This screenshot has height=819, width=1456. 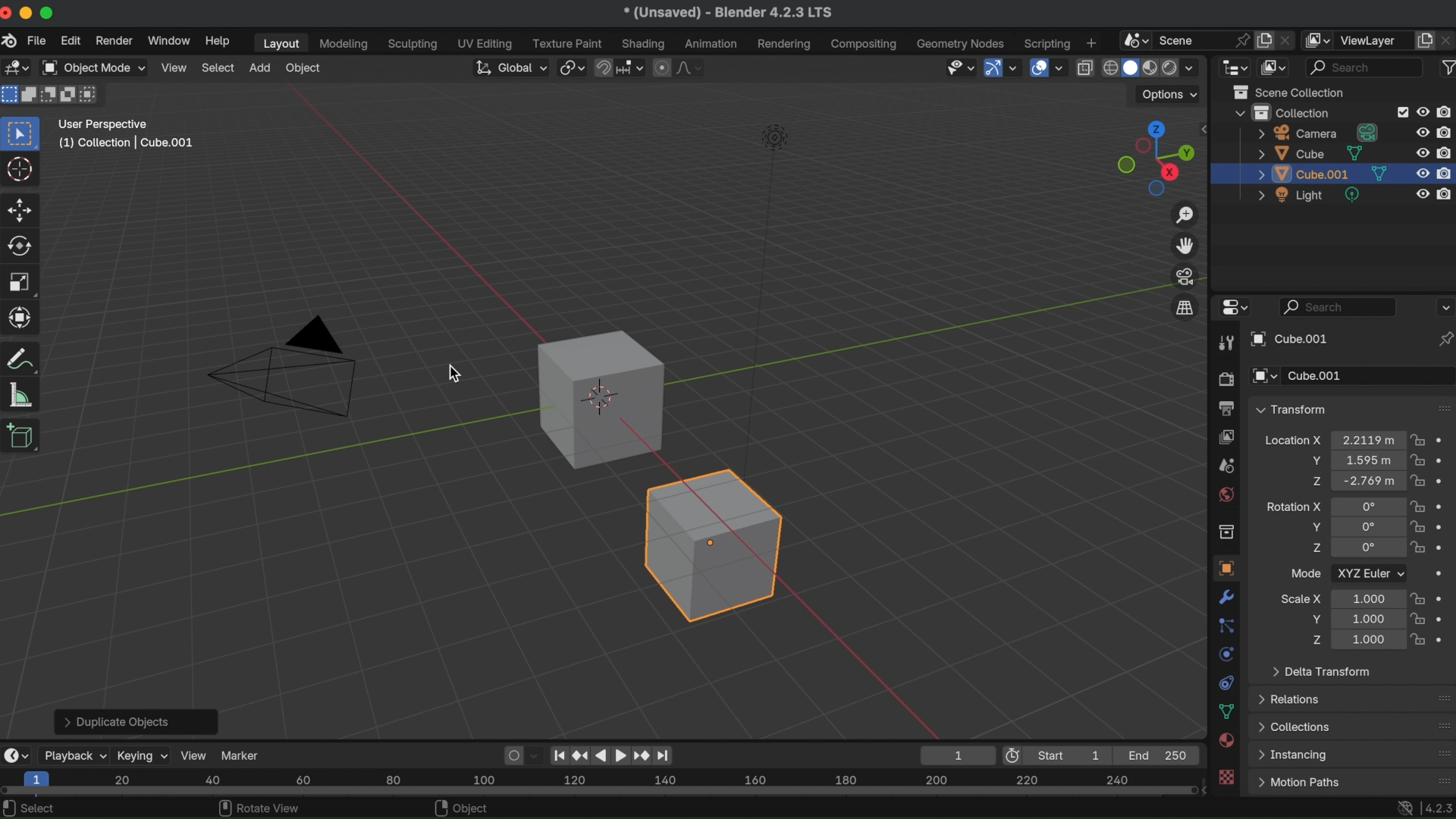 I want to click on sculpting, so click(x=413, y=45).